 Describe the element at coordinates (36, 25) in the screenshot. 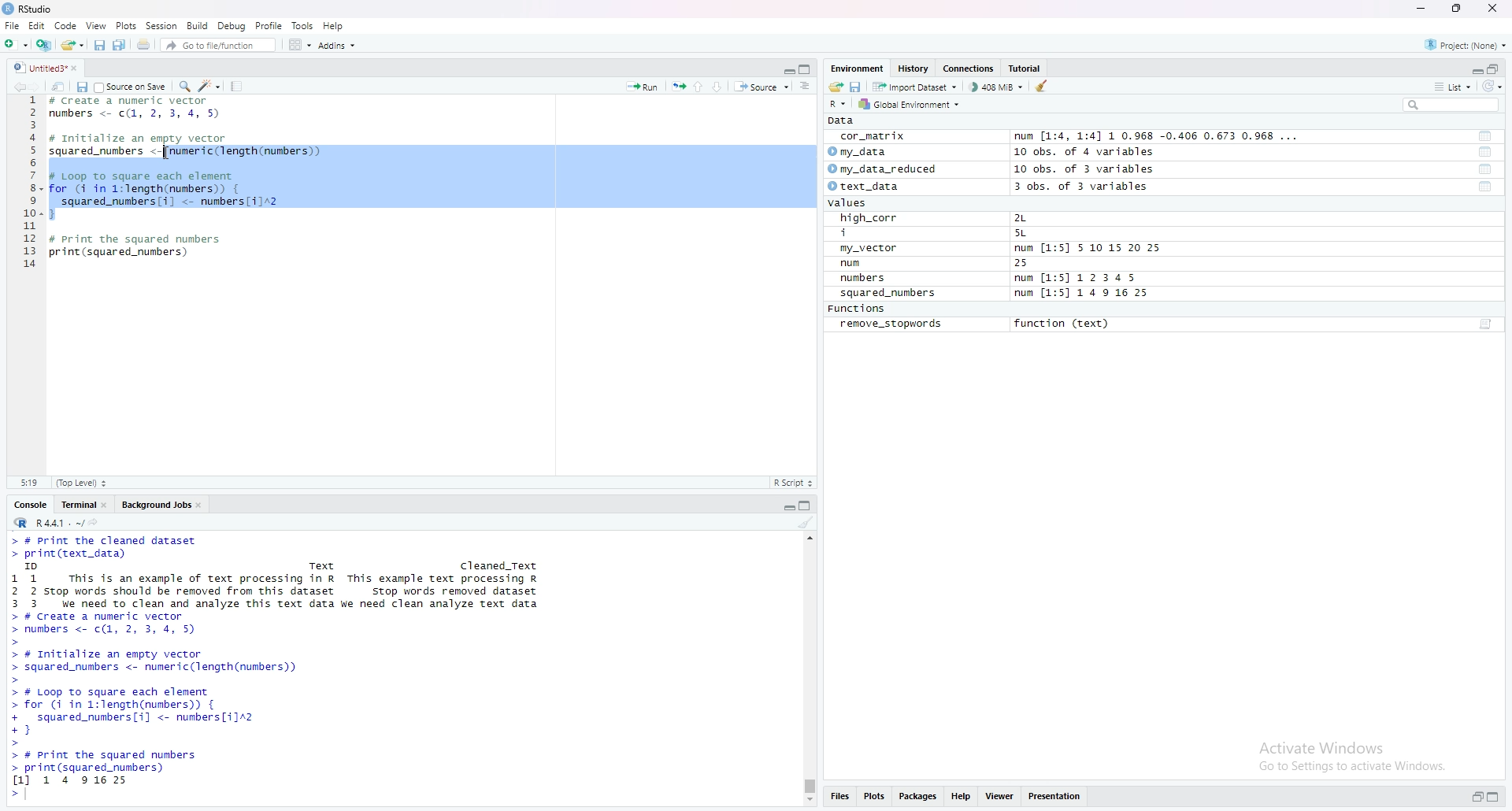

I see `Edit` at that location.